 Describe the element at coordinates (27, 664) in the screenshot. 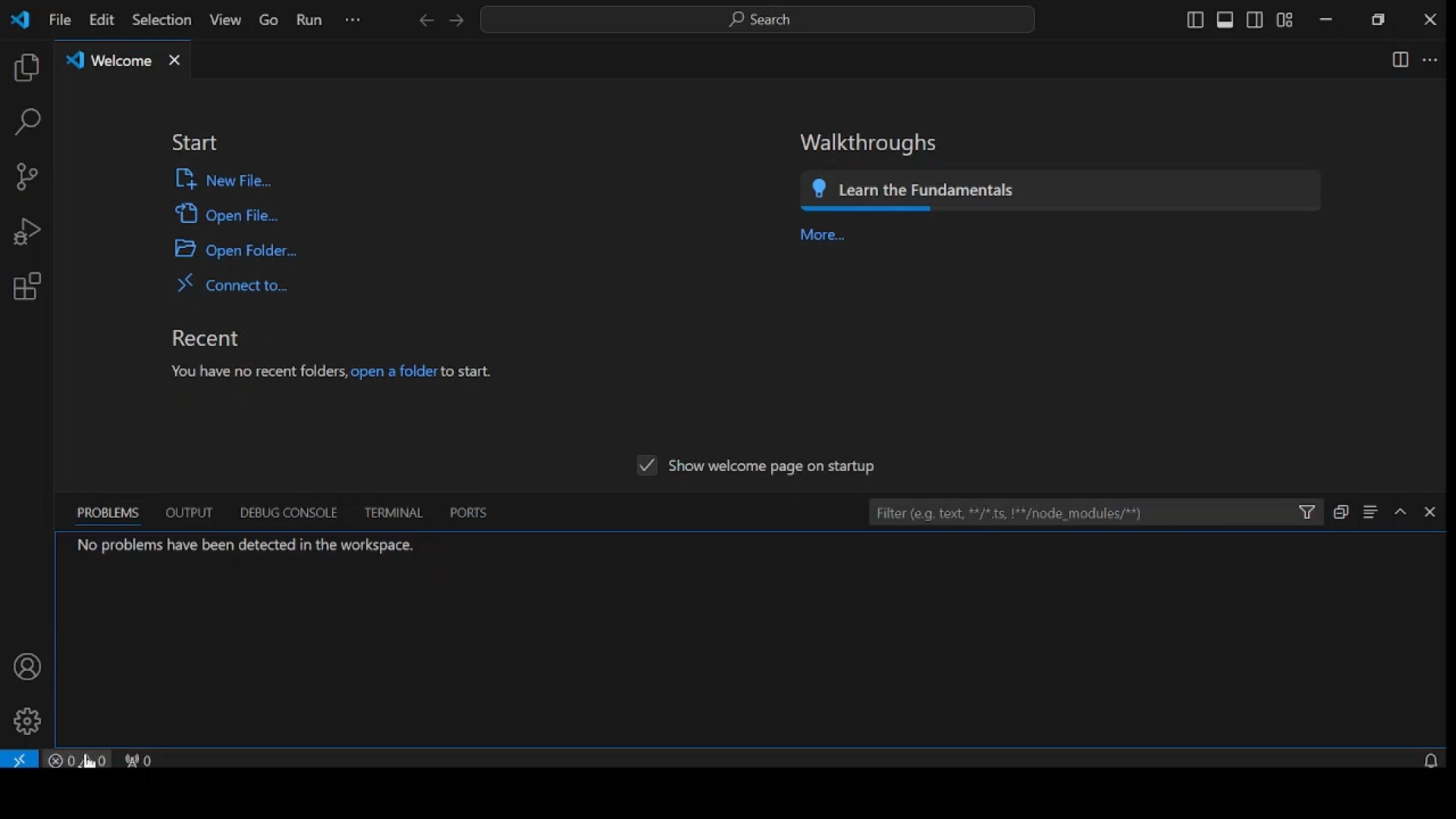

I see `accounts` at that location.